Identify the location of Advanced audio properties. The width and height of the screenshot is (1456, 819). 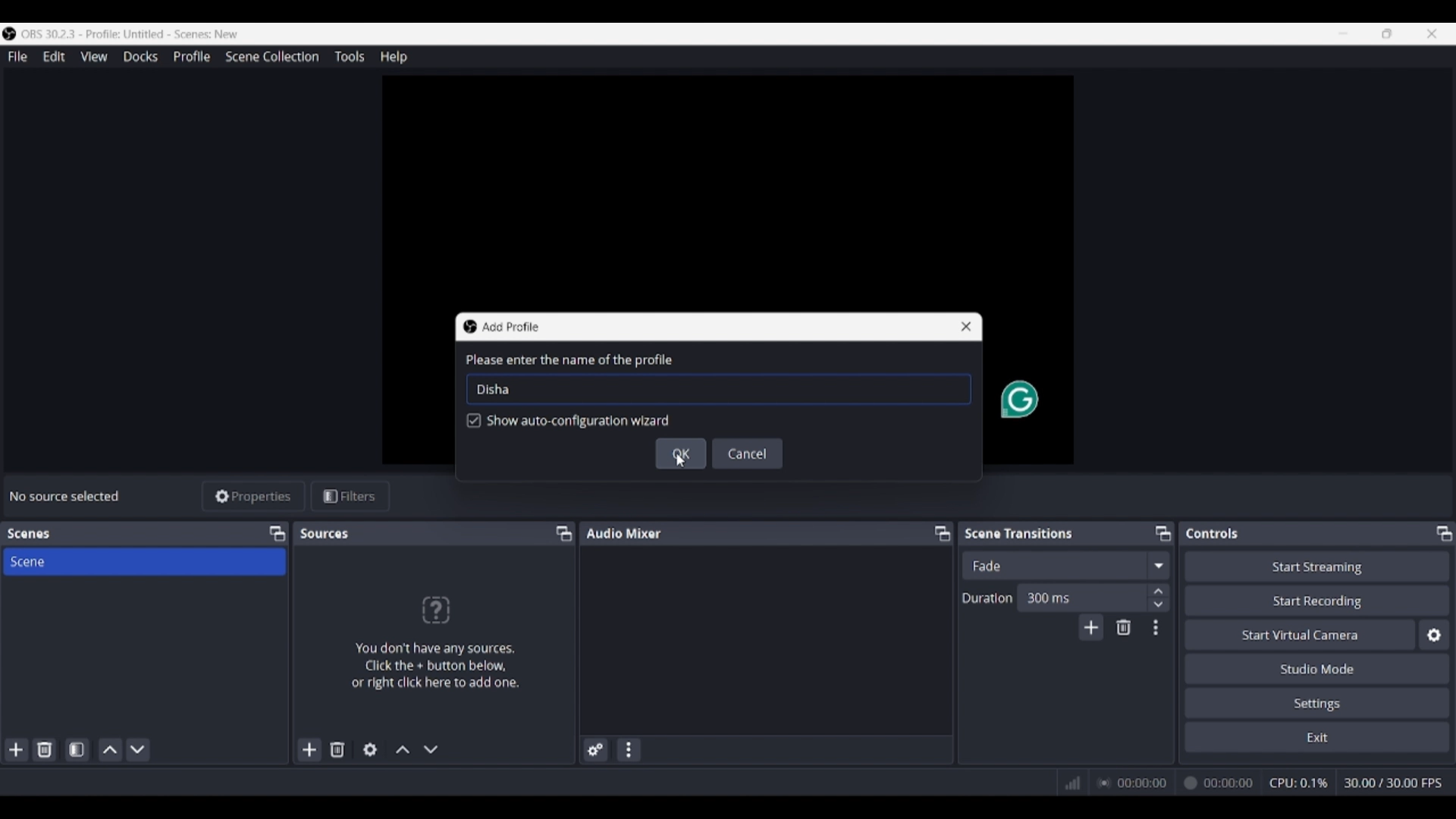
(595, 750).